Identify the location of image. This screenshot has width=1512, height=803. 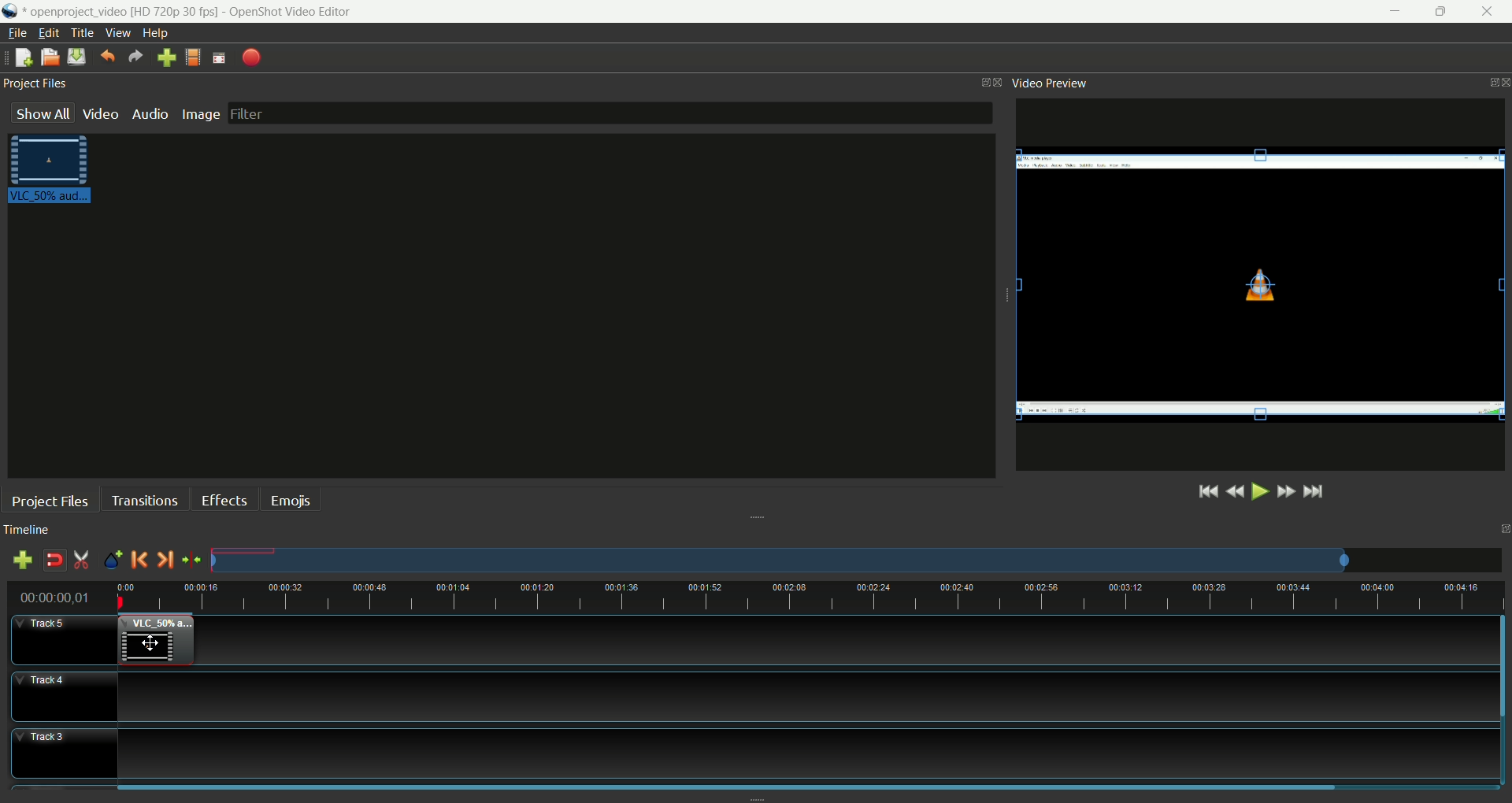
(204, 114).